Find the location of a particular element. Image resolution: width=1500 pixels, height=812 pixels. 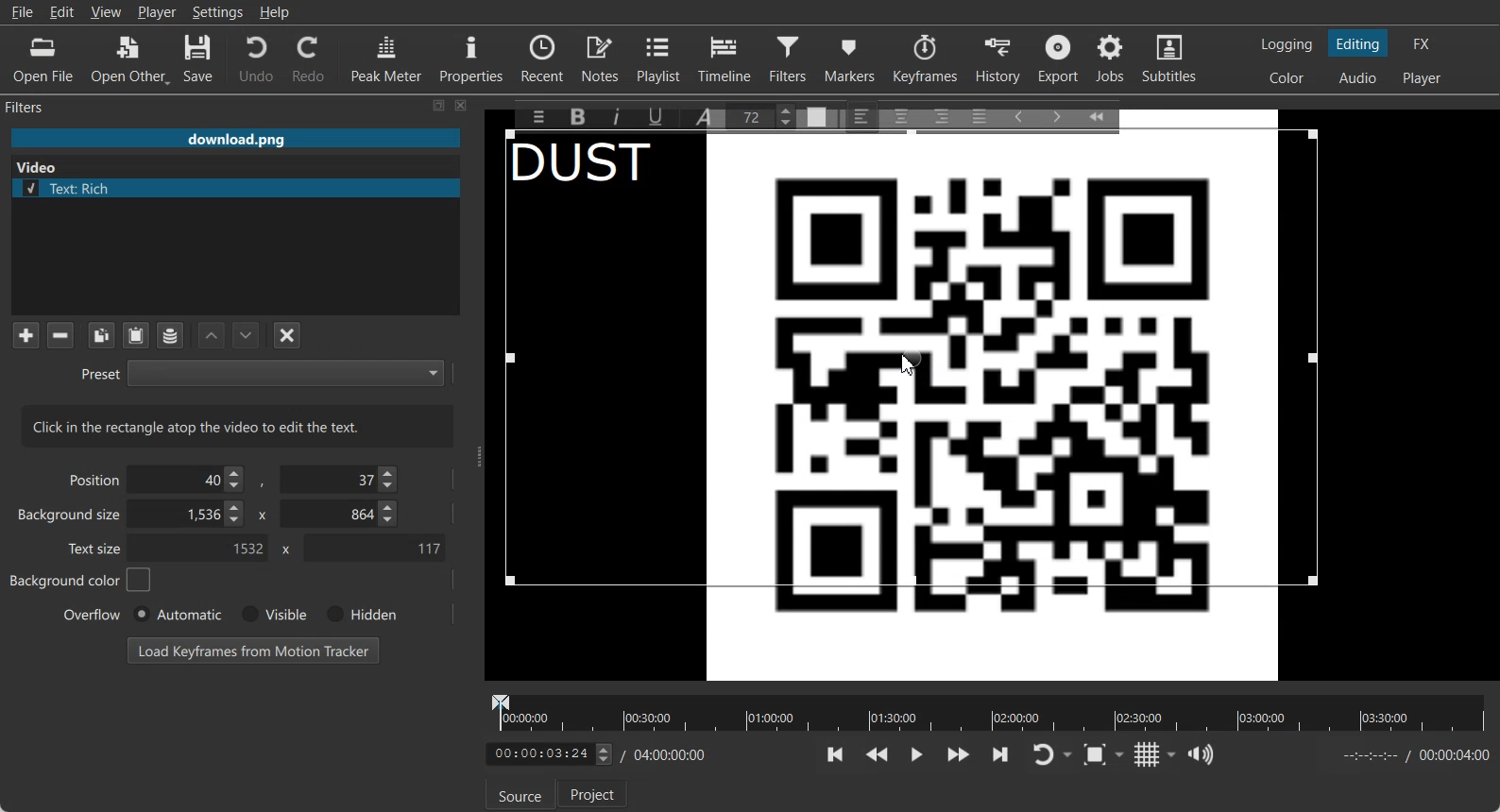

x is located at coordinates (260, 514).